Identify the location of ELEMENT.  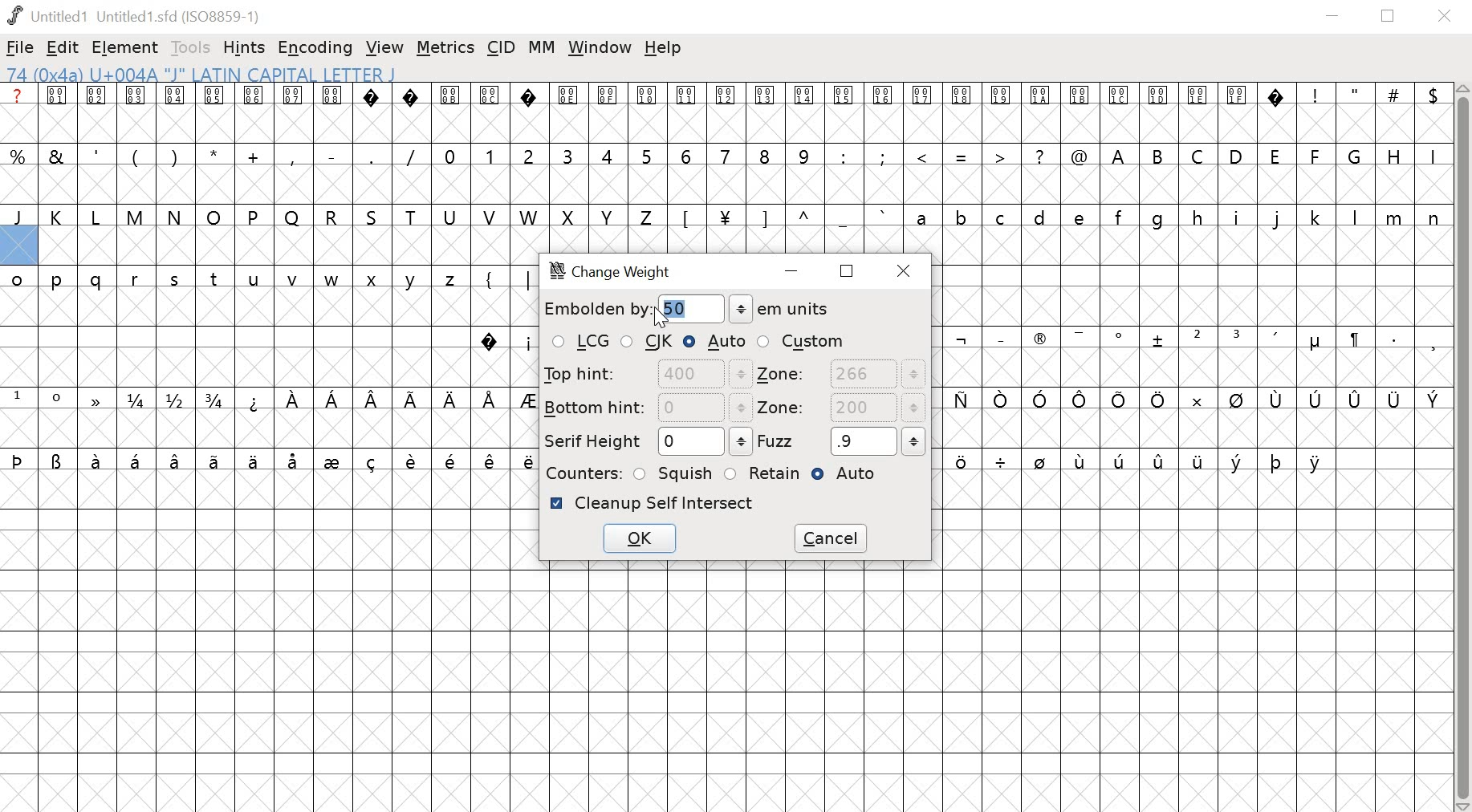
(127, 48).